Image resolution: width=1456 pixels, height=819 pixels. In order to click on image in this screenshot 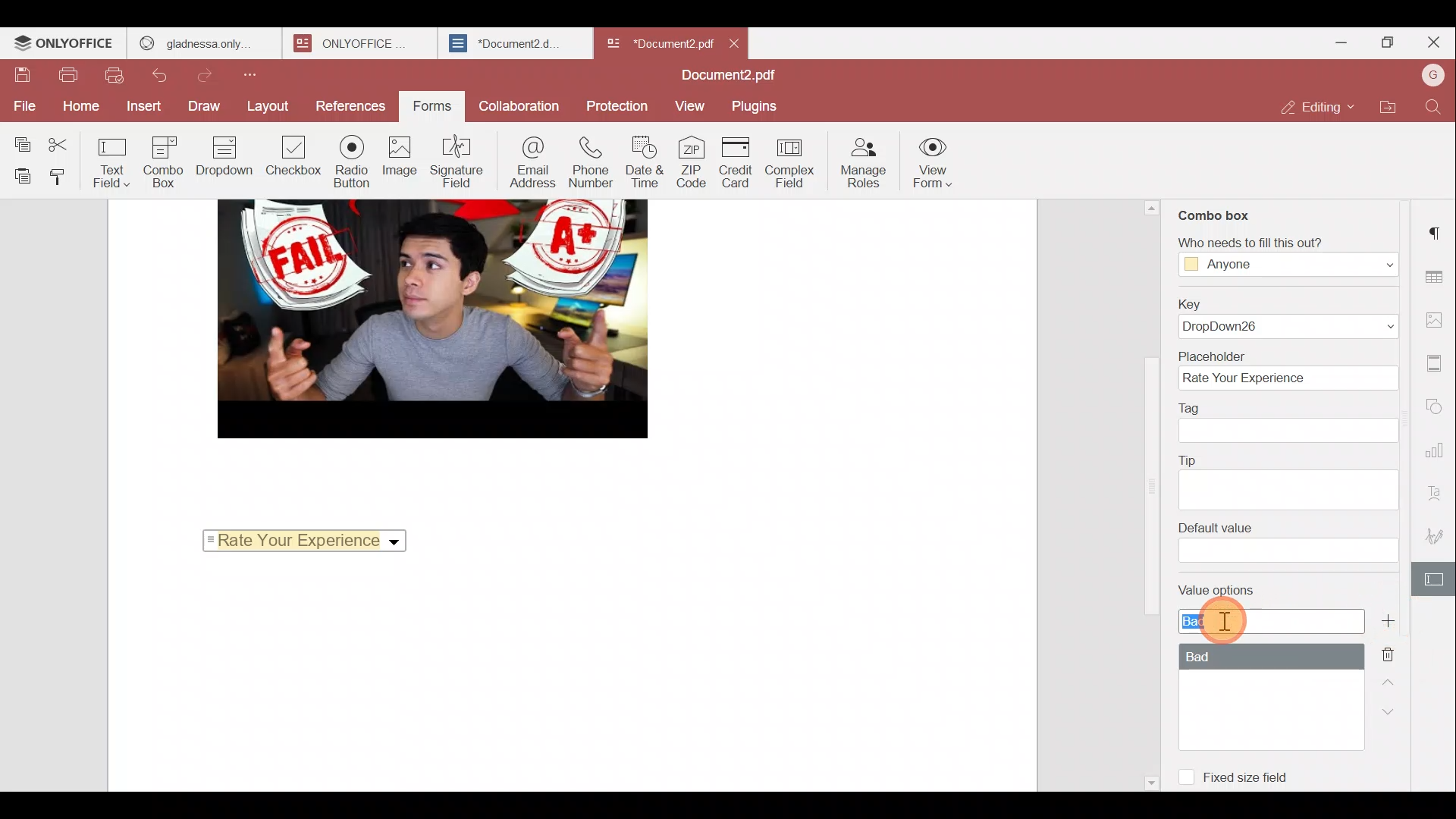, I will do `click(431, 318)`.